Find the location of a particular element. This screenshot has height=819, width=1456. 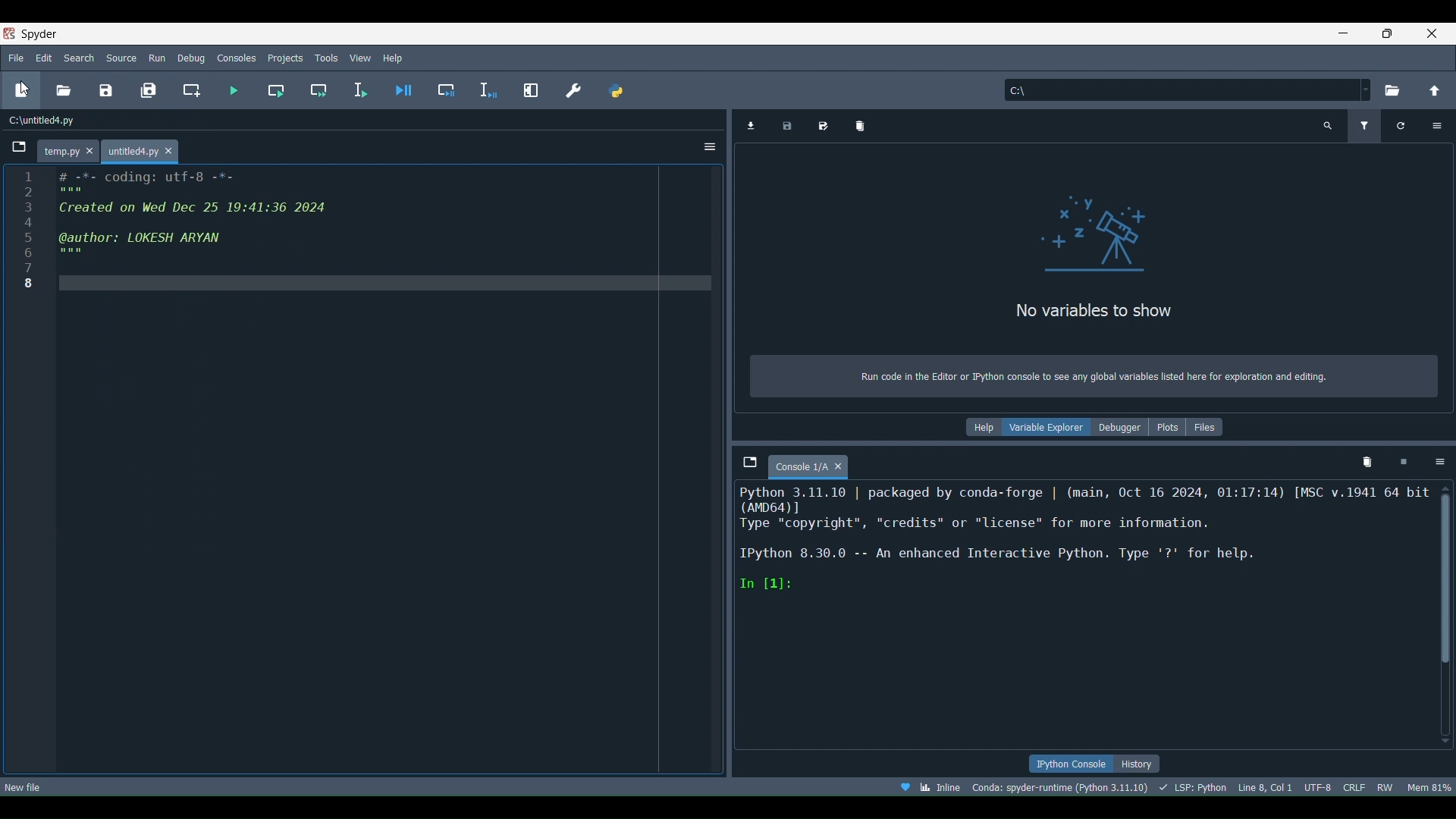

Browse a working directory is located at coordinates (1393, 91).